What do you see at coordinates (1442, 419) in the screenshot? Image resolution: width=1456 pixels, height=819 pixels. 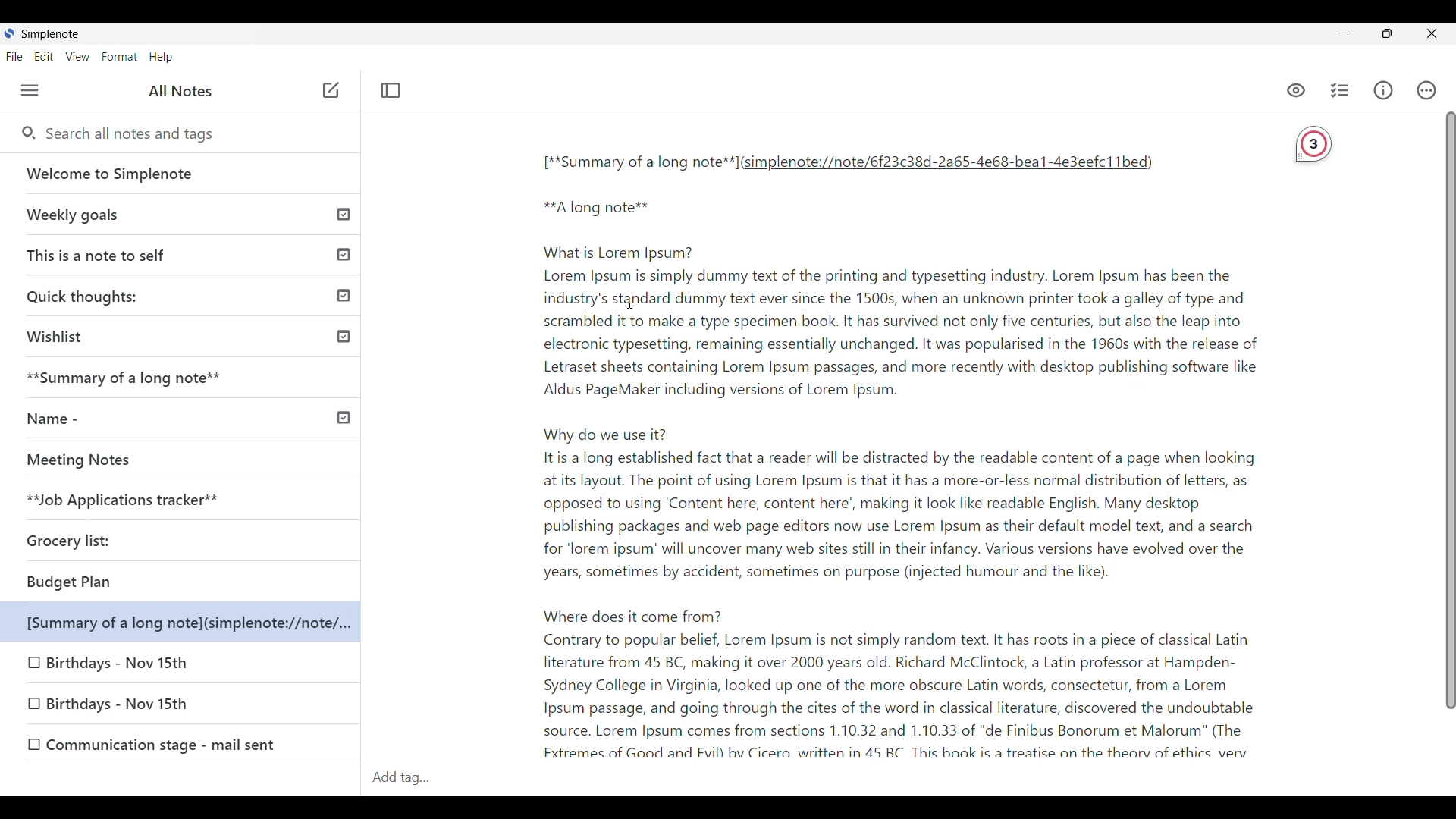 I see `Vertical scroll bar` at bounding box center [1442, 419].